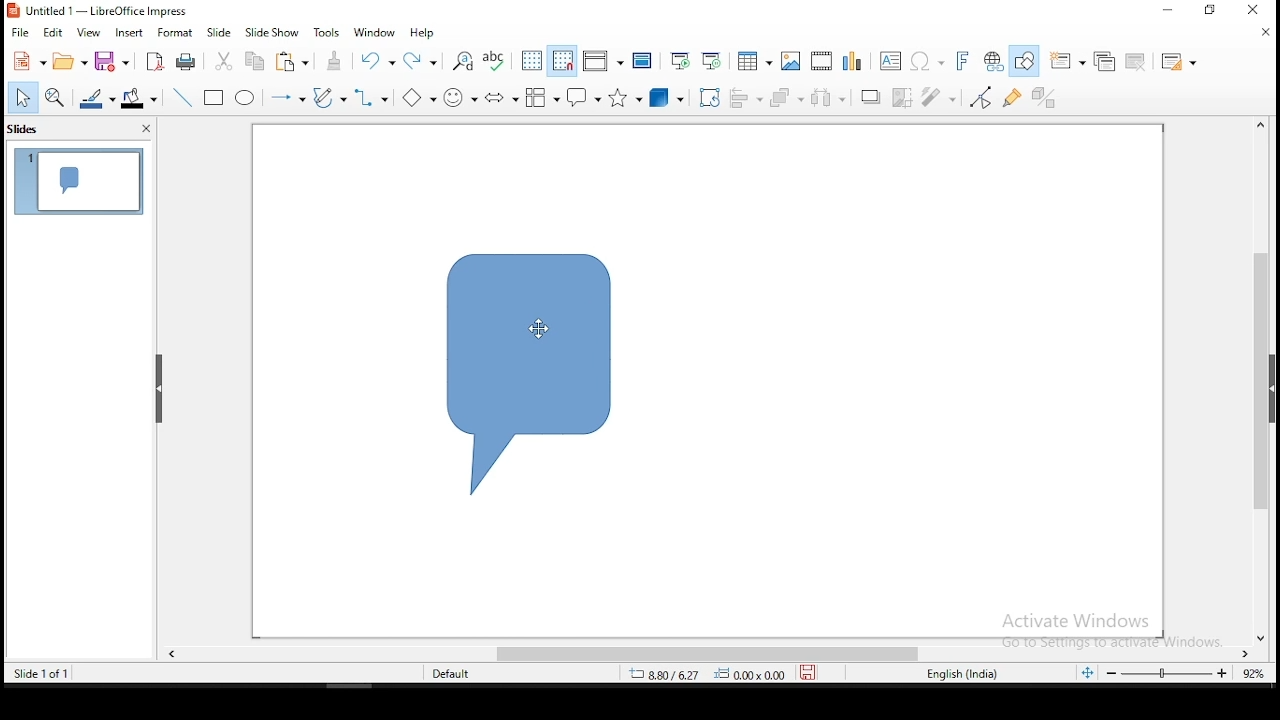 Image resolution: width=1280 pixels, height=720 pixels. What do you see at coordinates (220, 32) in the screenshot?
I see `slide` at bounding box center [220, 32].